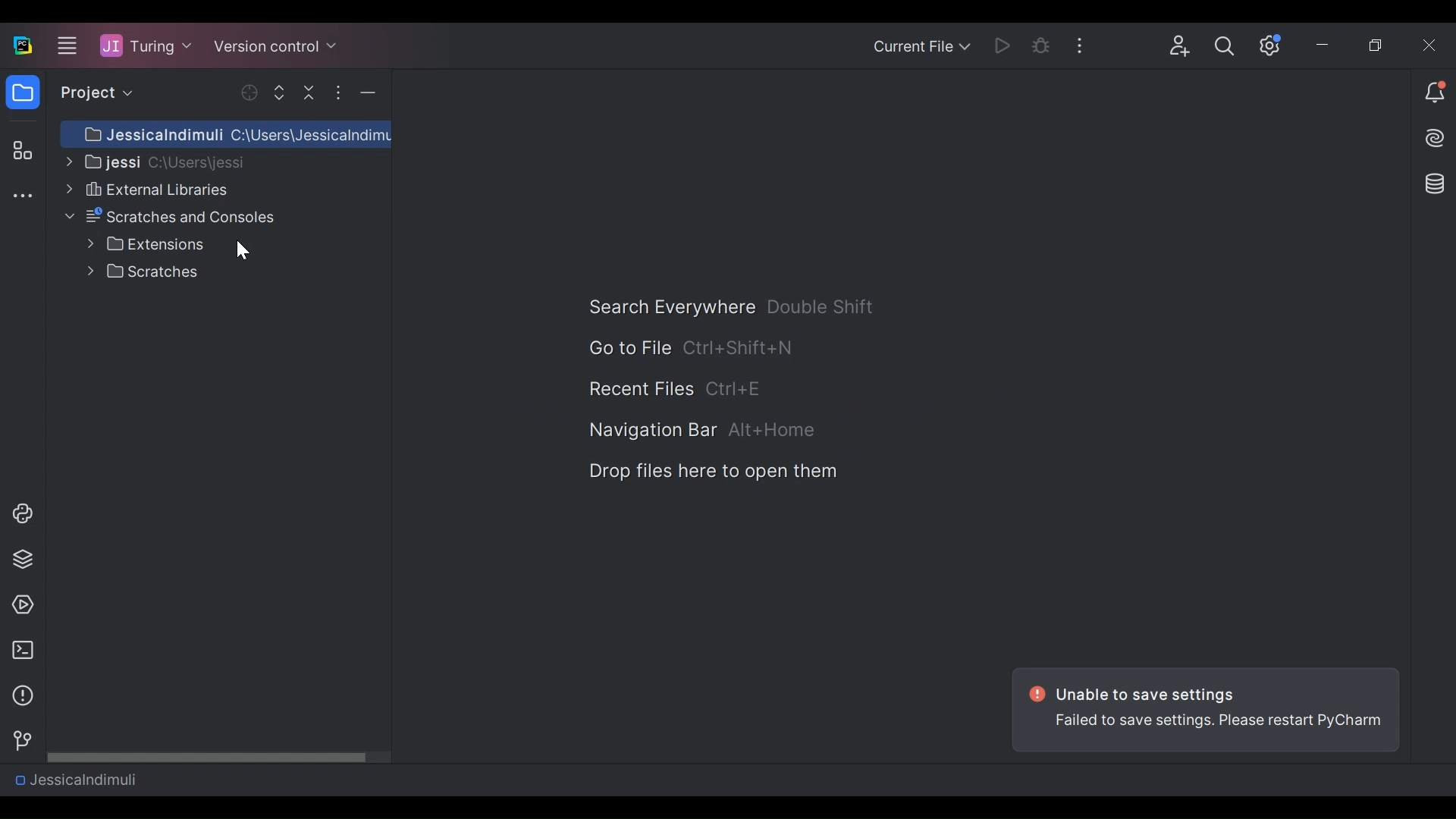 This screenshot has height=819, width=1456. What do you see at coordinates (1271, 45) in the screenshot?
I see `Settings` at bounding box center [1271, 45].